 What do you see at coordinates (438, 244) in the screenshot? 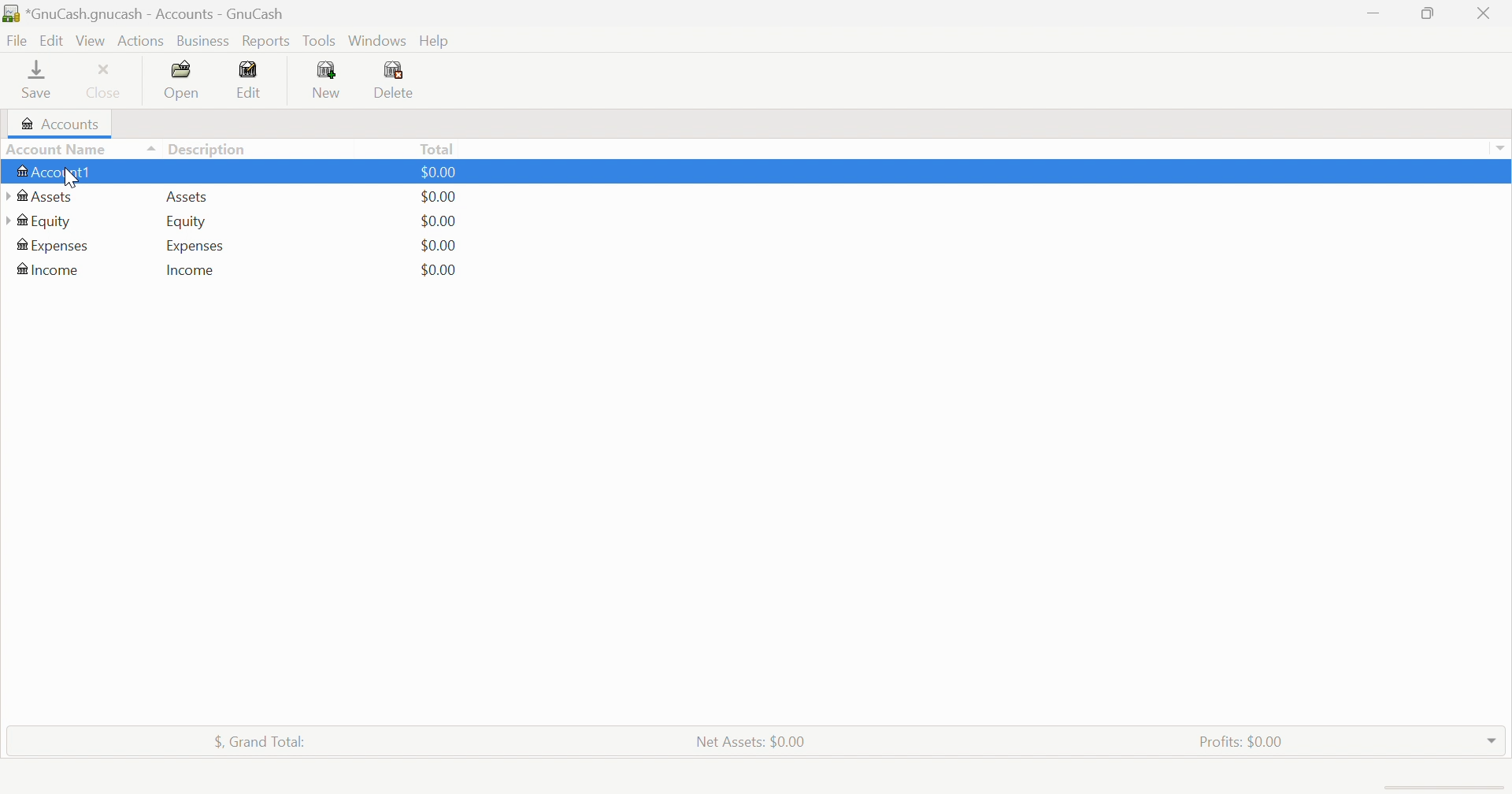
I see `$0.00` at bounding box center [438, 244].